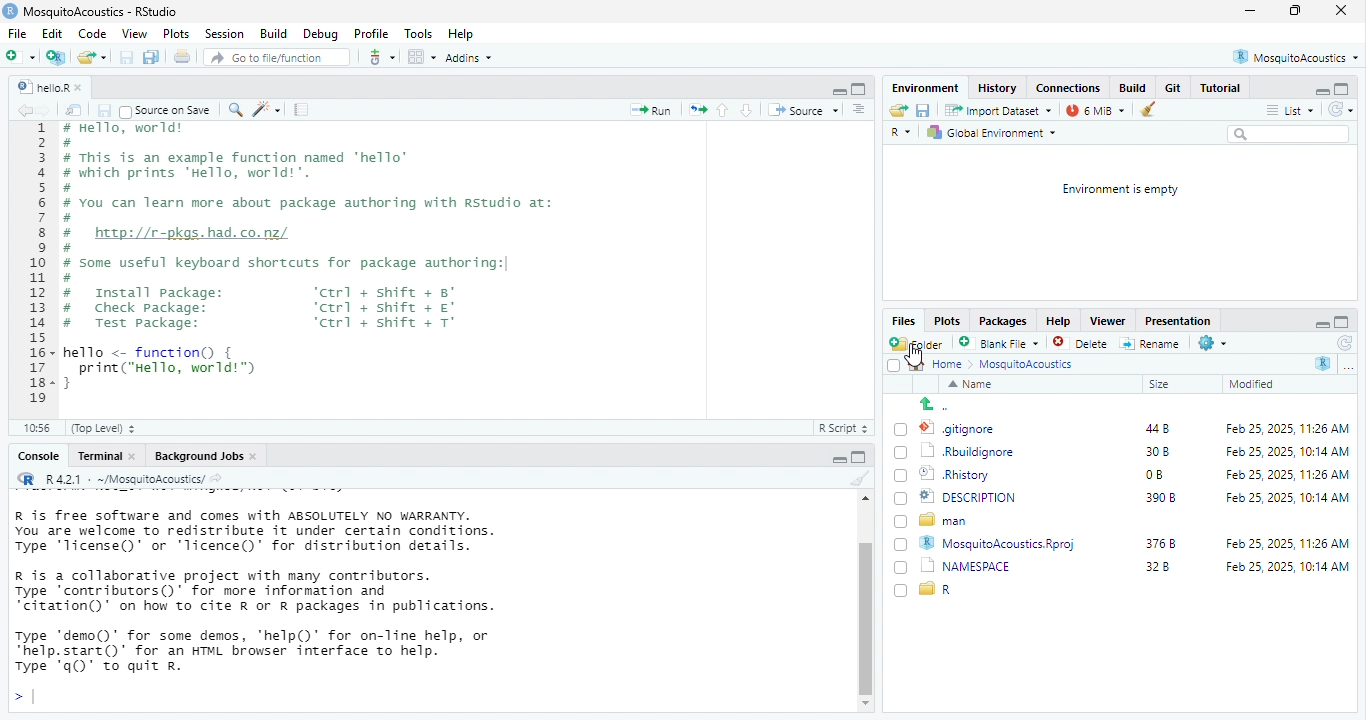 The height and width of the screenshot is (720, 1366). What do you see at coordinates (462, 35) in the screenshot?
I see `Help` at bounding box center [462, 35].